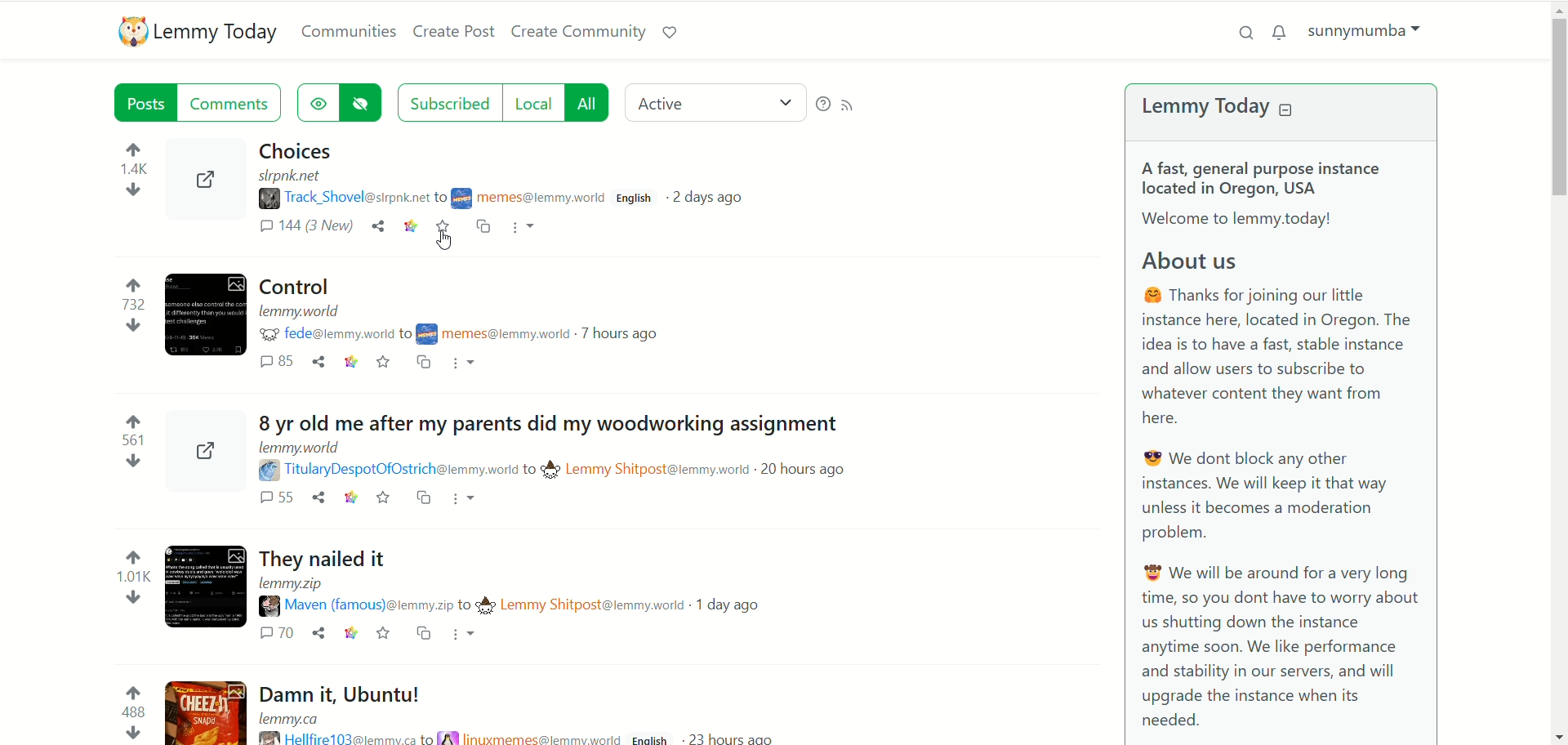  Describe the element at coordinates (419, 635) in the screenshot. I see `Cross post` at that location.